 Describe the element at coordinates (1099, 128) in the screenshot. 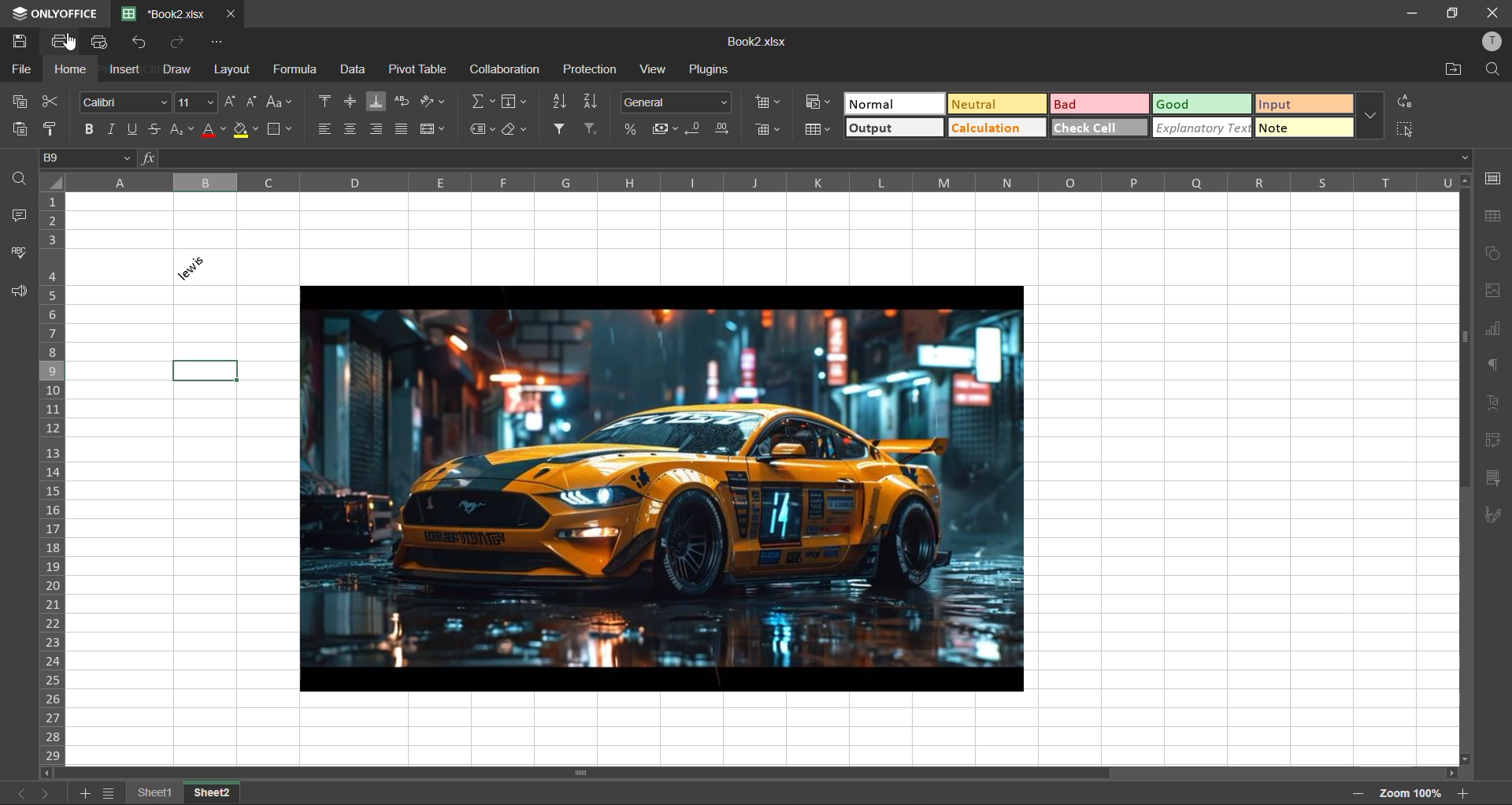

I see `check cell` at that location.